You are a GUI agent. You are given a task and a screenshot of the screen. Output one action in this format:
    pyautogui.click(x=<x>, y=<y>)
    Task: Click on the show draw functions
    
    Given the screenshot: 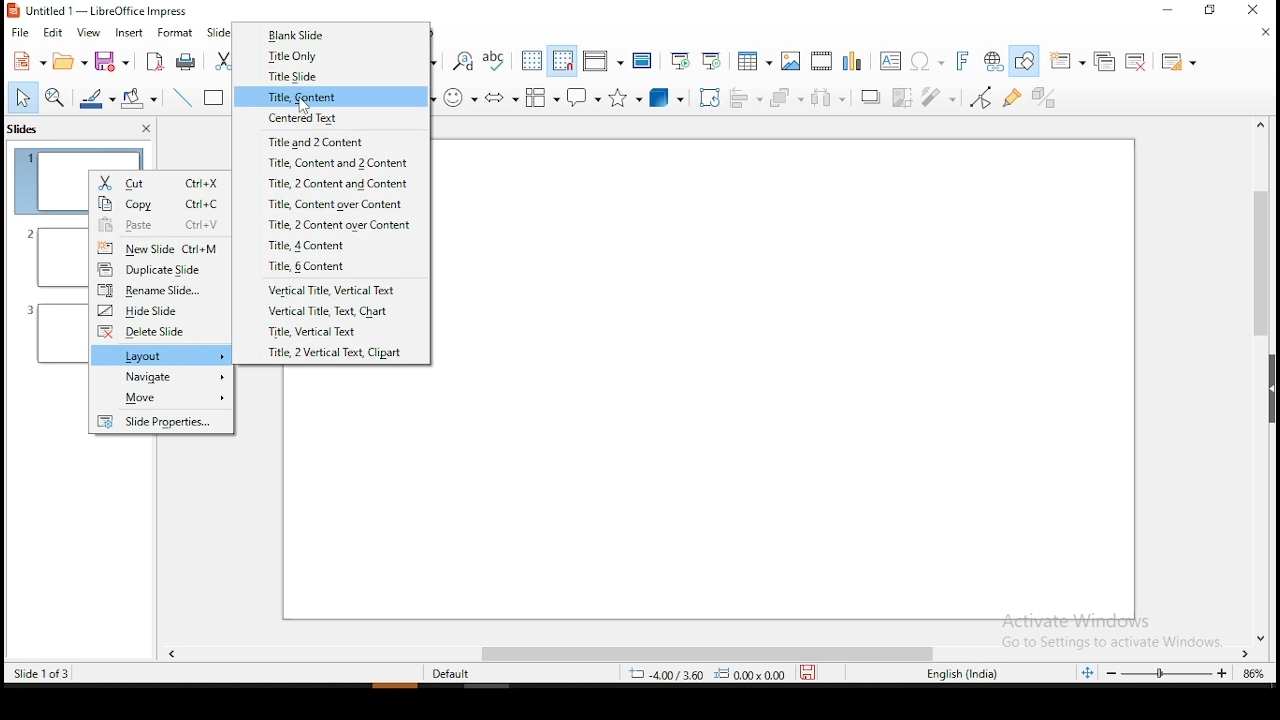 What is the action you would take?
    pyautogui.click(x=1024, y=61)
    